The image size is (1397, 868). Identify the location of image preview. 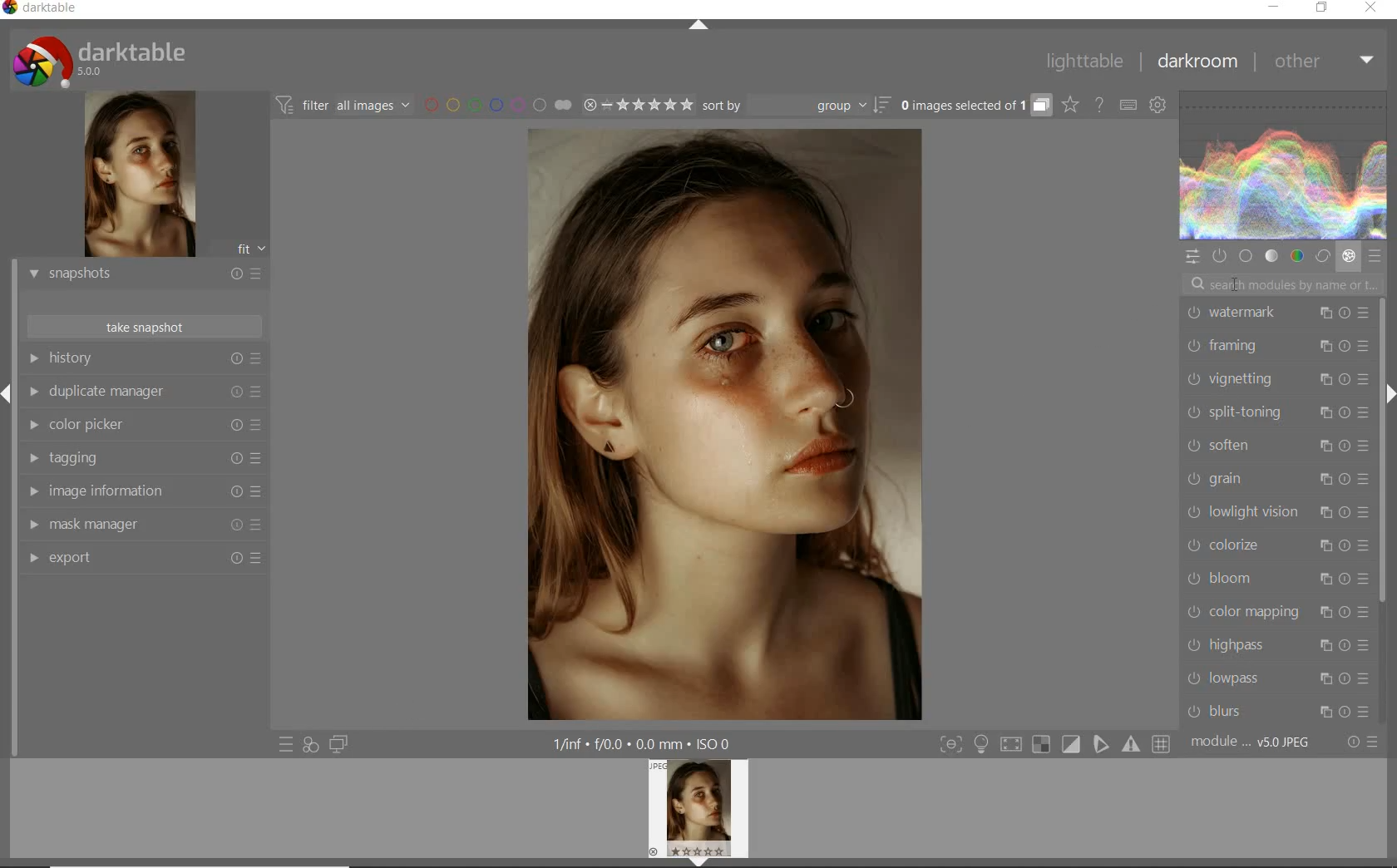
(698, 812).